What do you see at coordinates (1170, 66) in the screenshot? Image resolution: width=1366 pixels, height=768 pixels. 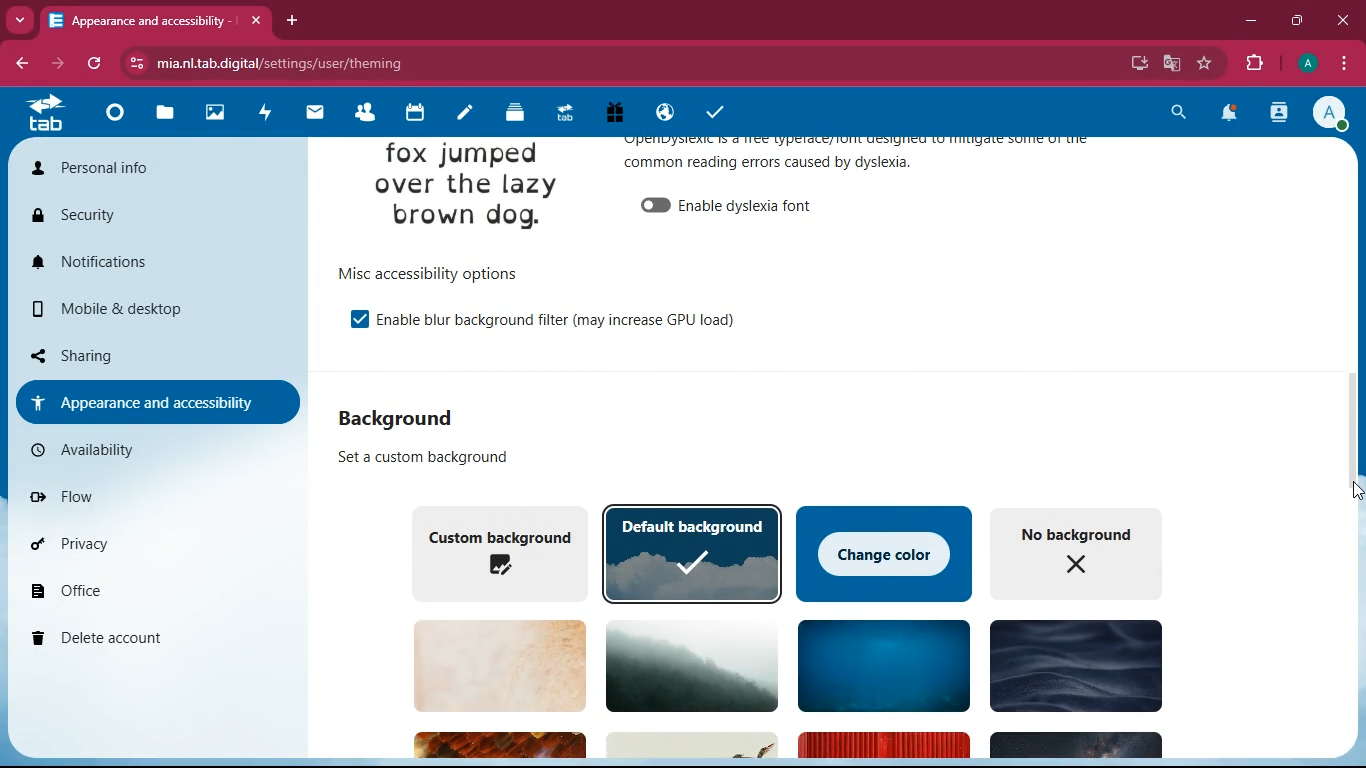 I see `google translate` at bounding box center [1170, 66].